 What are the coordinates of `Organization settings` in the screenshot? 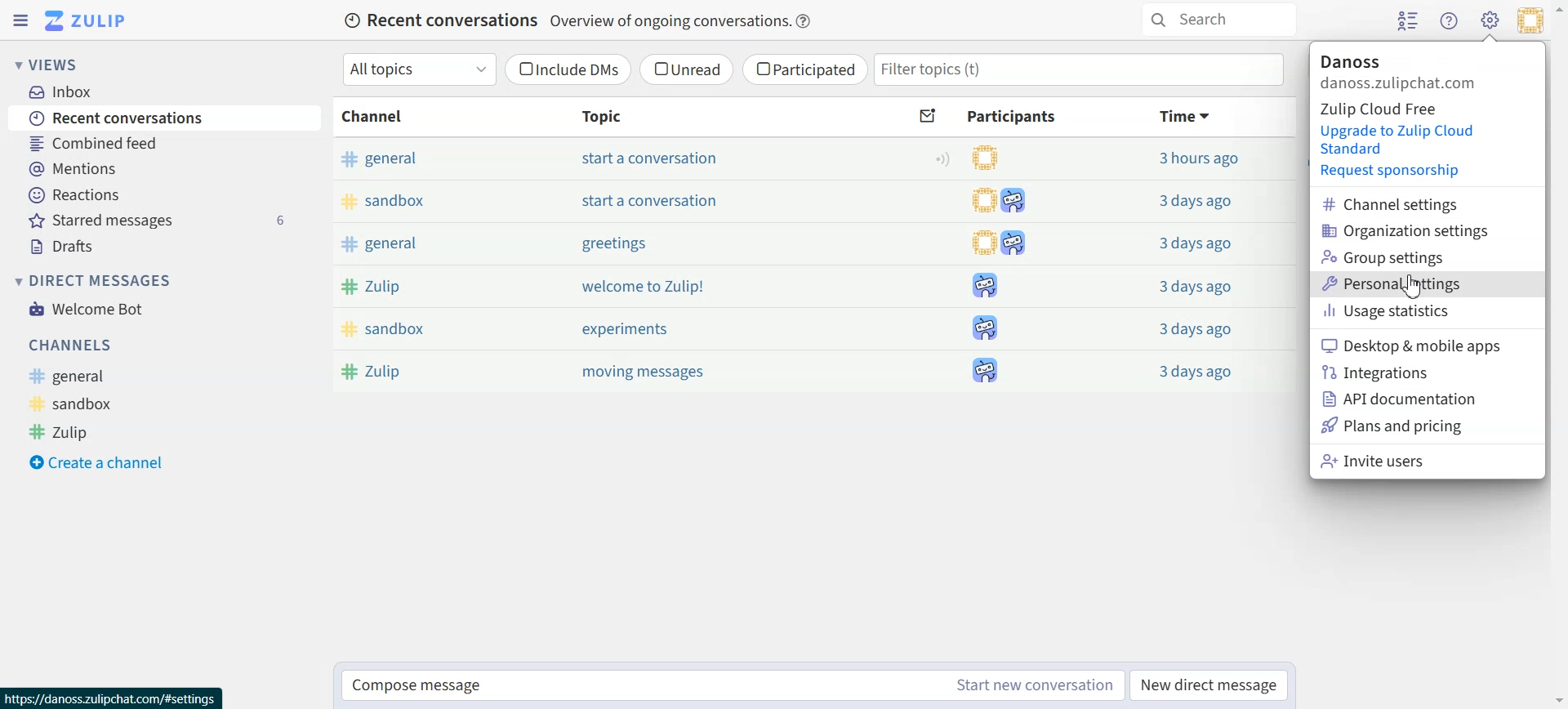 It's located at (1405, 231).